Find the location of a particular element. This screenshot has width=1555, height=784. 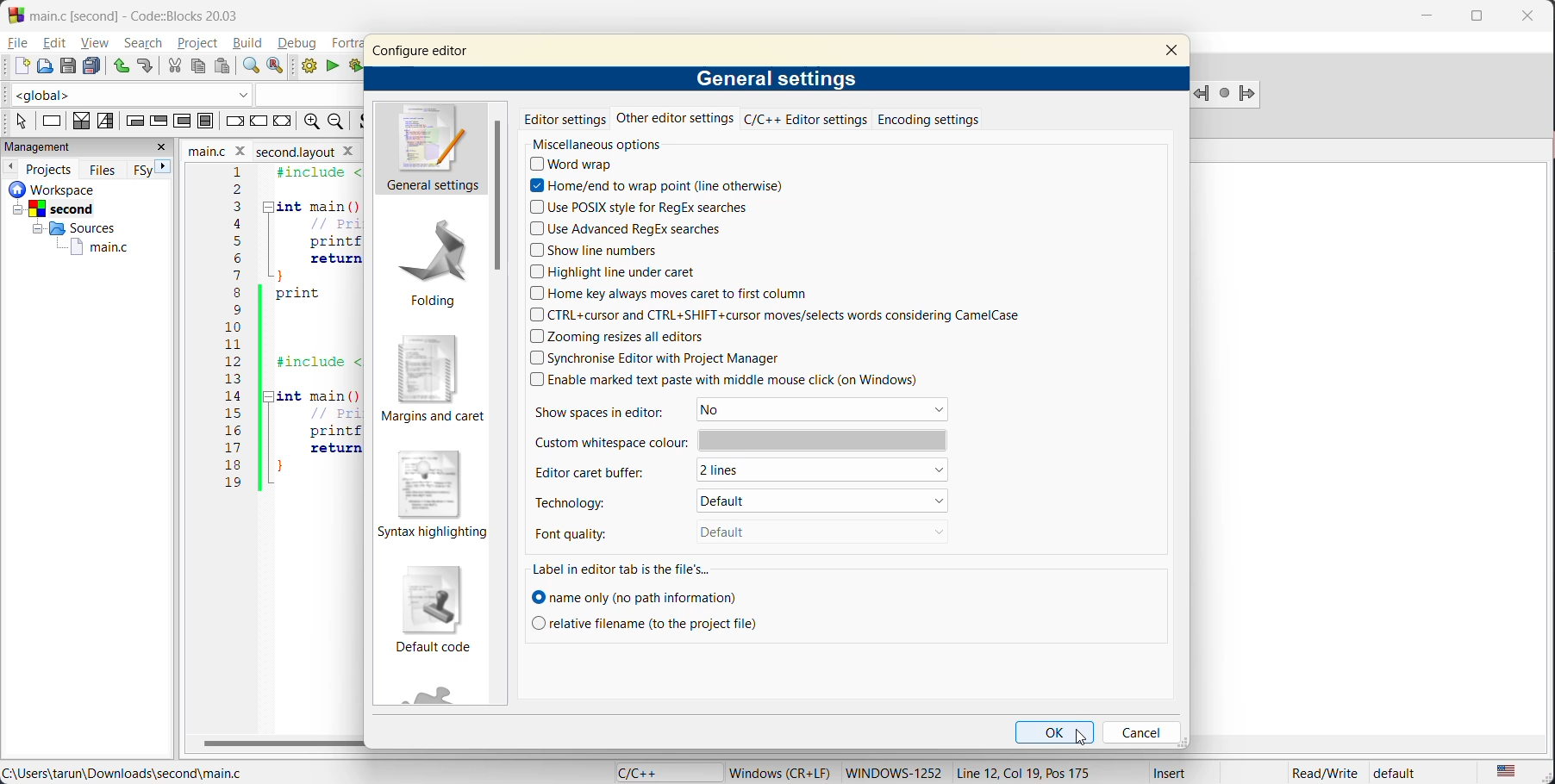

select is located at coordinates (21, 121).